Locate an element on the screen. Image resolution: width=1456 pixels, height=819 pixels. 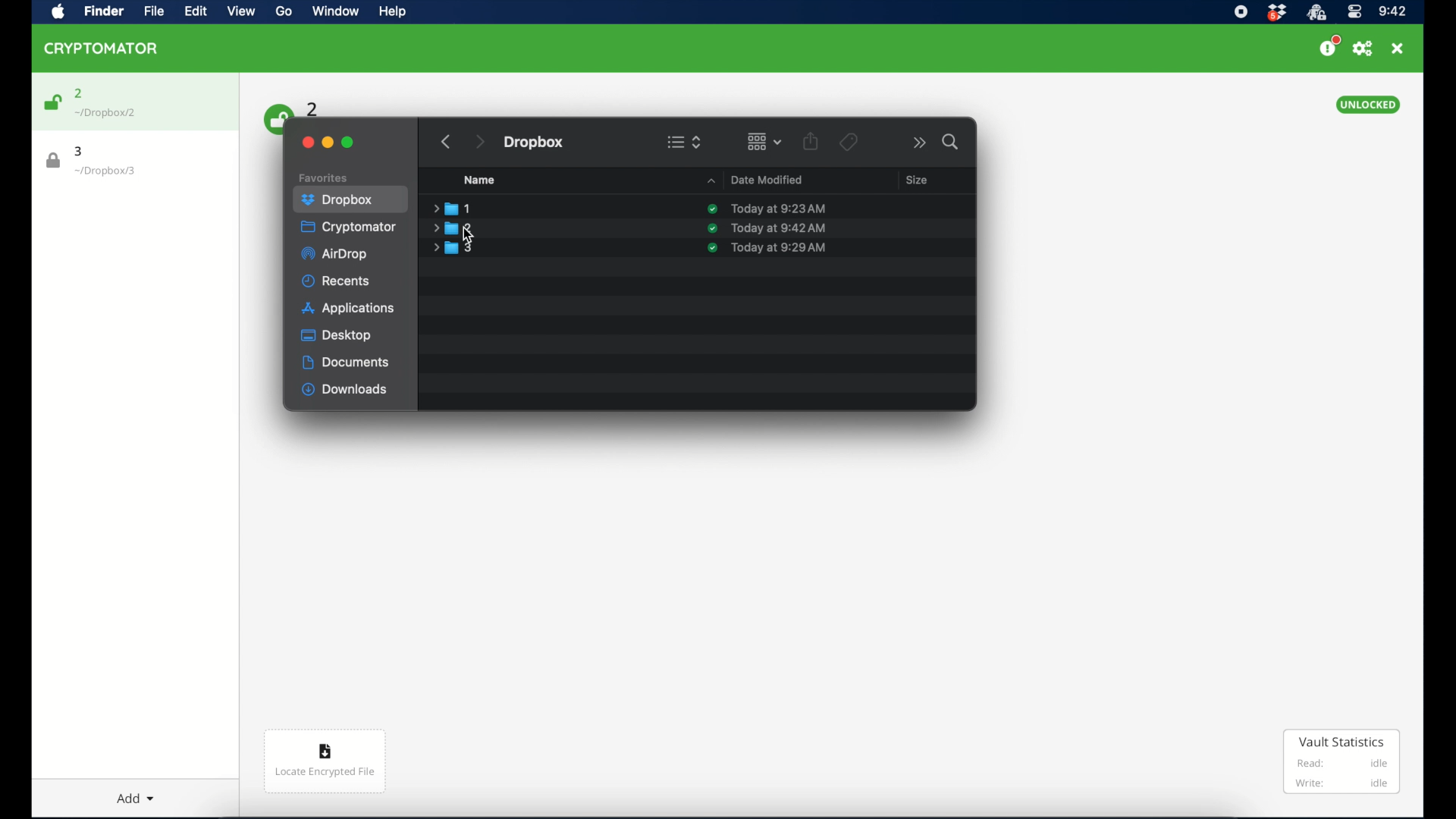
recents is located at coordinates (337, 281).